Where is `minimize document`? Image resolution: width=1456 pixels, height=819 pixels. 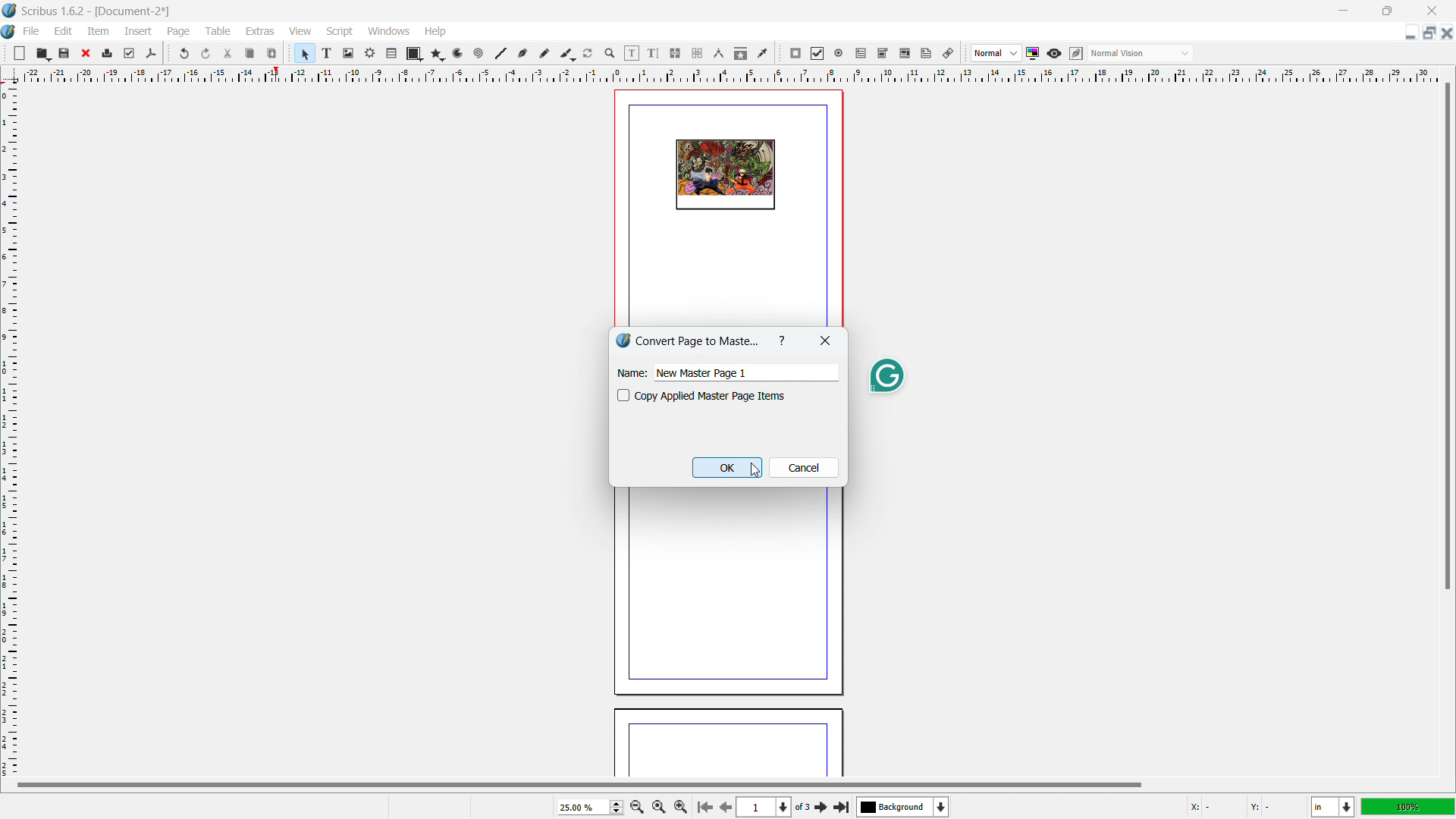
minimize document is located at coordinates (1408, 34).